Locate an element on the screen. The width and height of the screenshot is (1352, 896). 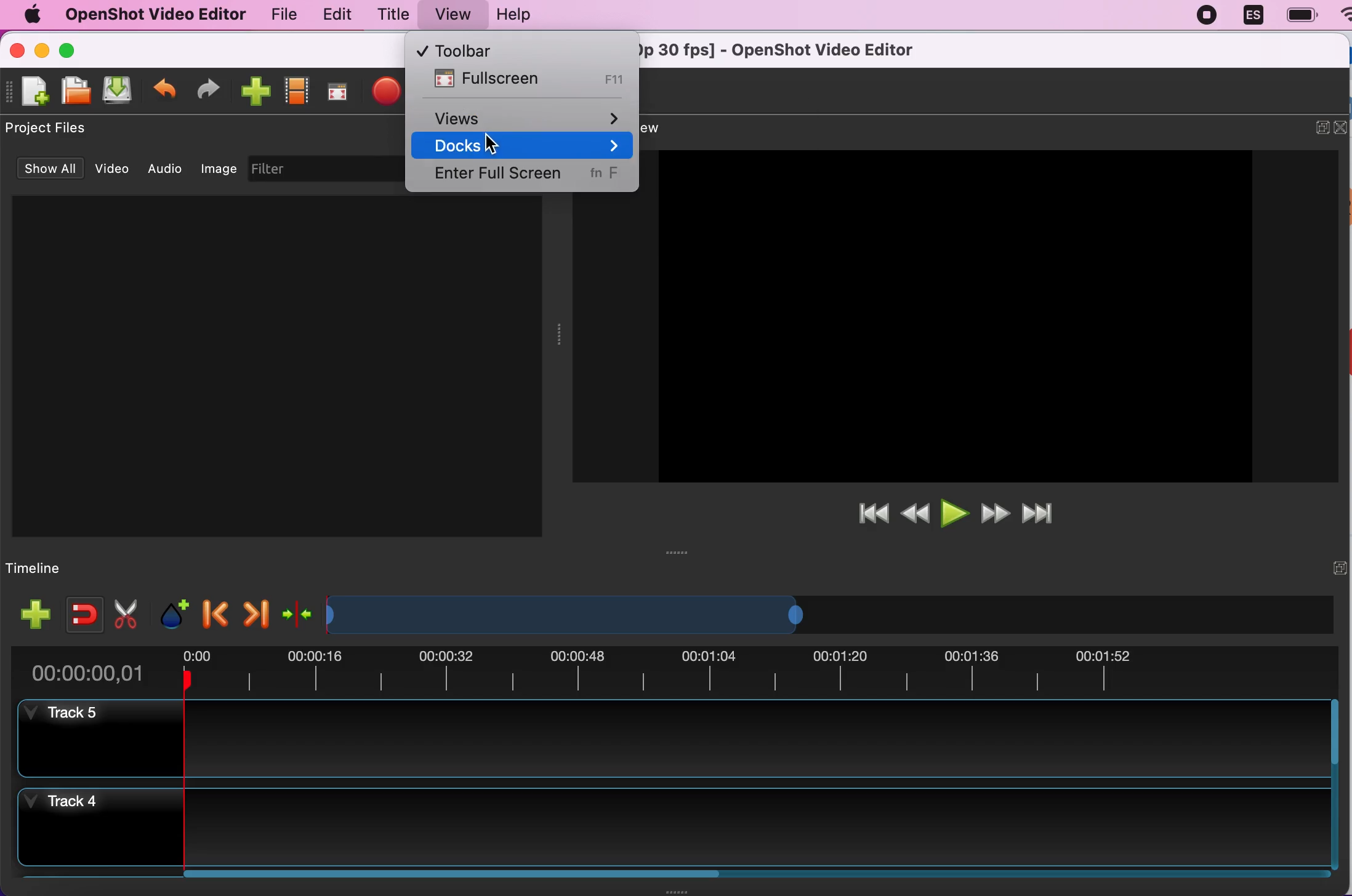
openshot video editor is located at coordinates (150, 14).